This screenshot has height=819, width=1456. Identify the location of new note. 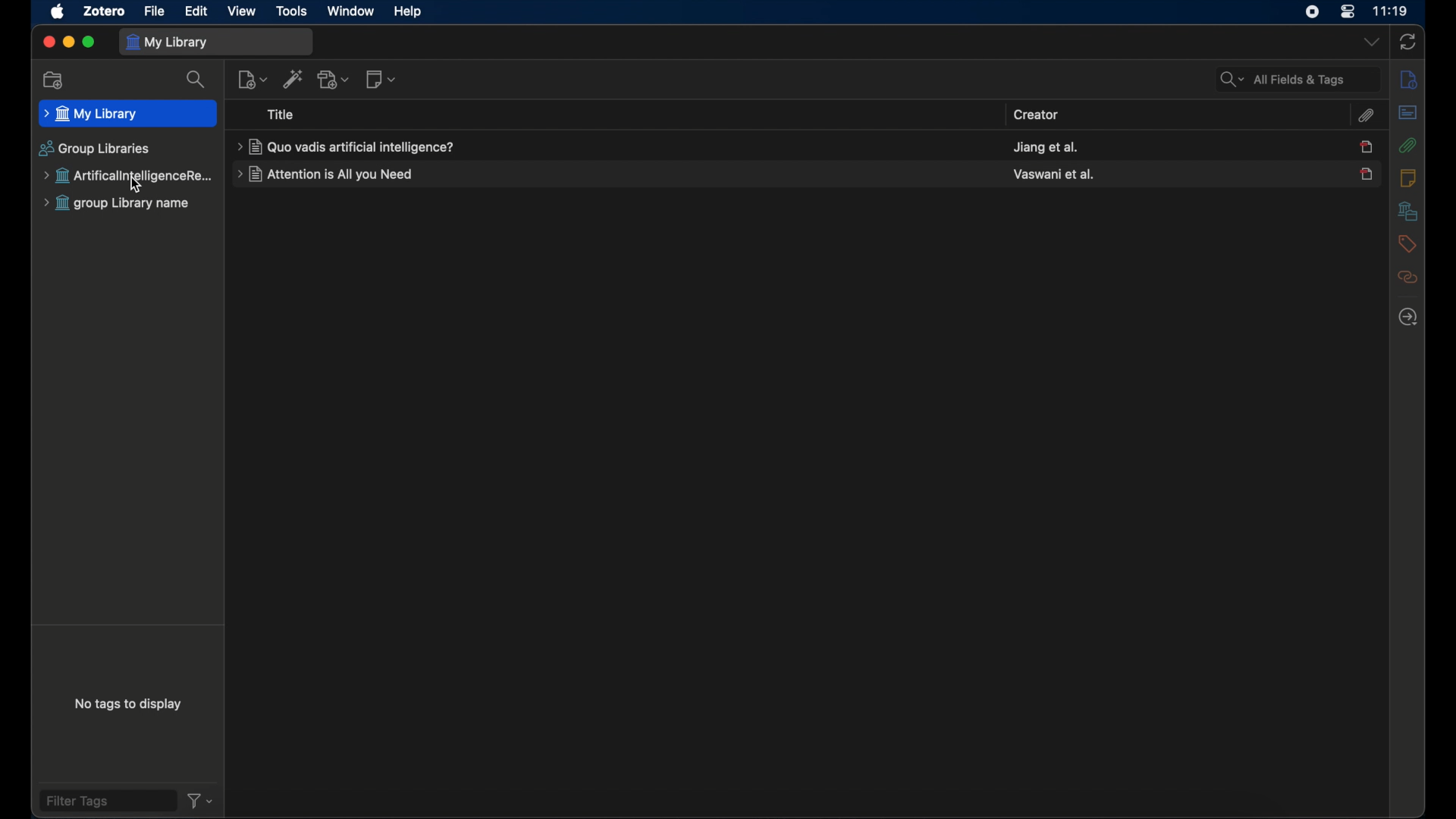
(381, 80).